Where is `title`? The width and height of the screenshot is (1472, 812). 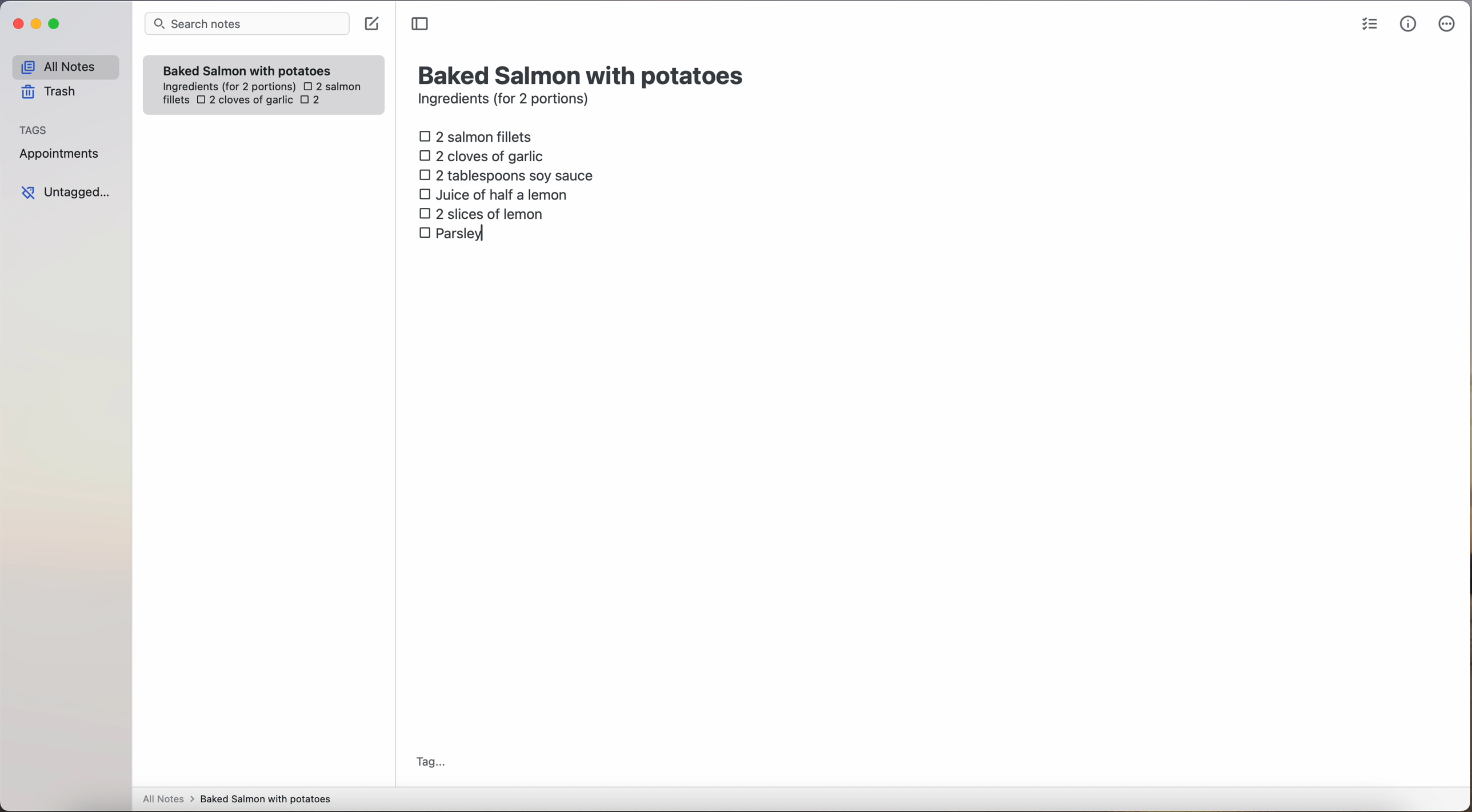 title is located at coordinates (583, 74).